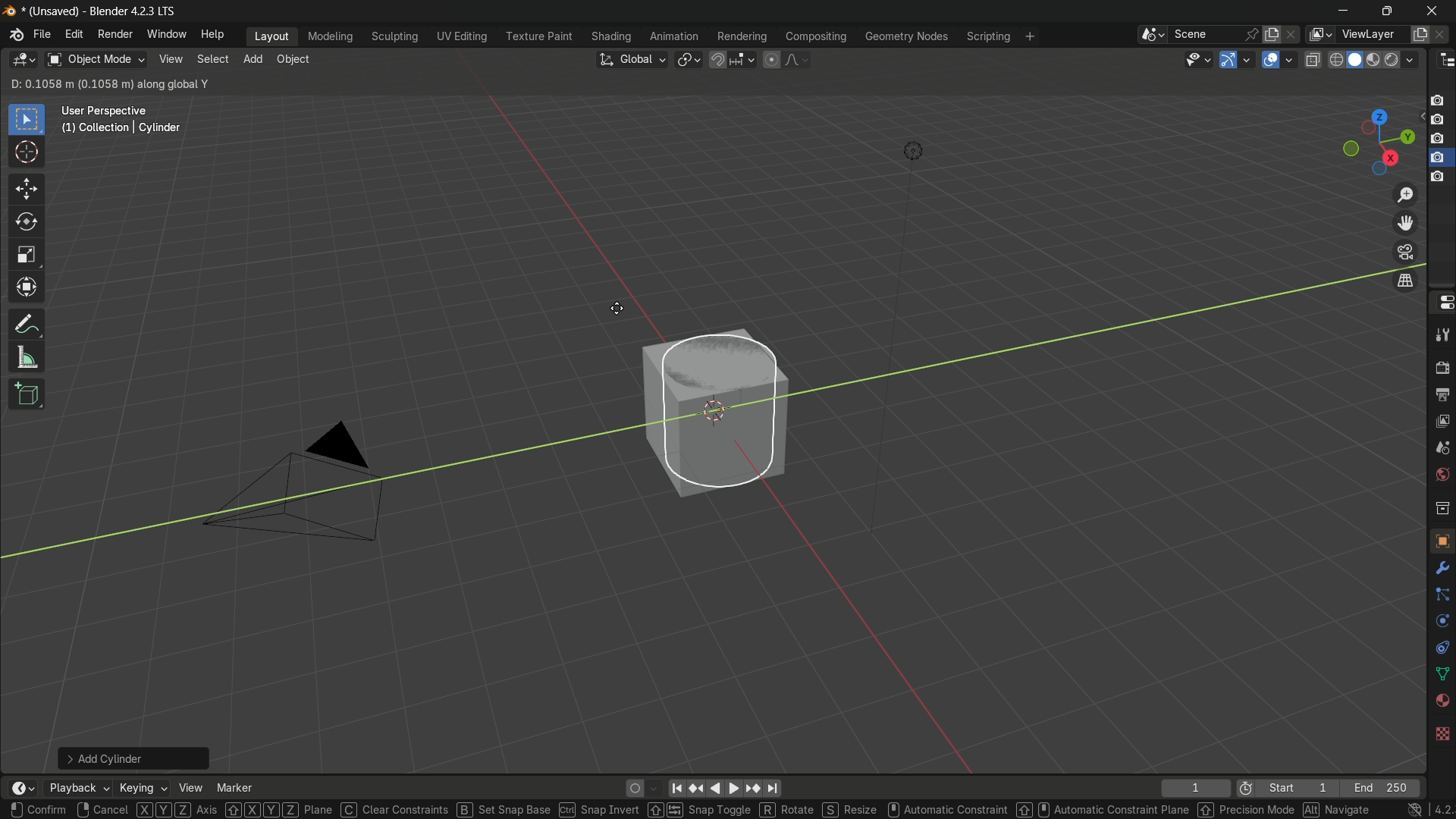 The image size is (1456, 819). I want to click on add workplace, so click(1030, 37).